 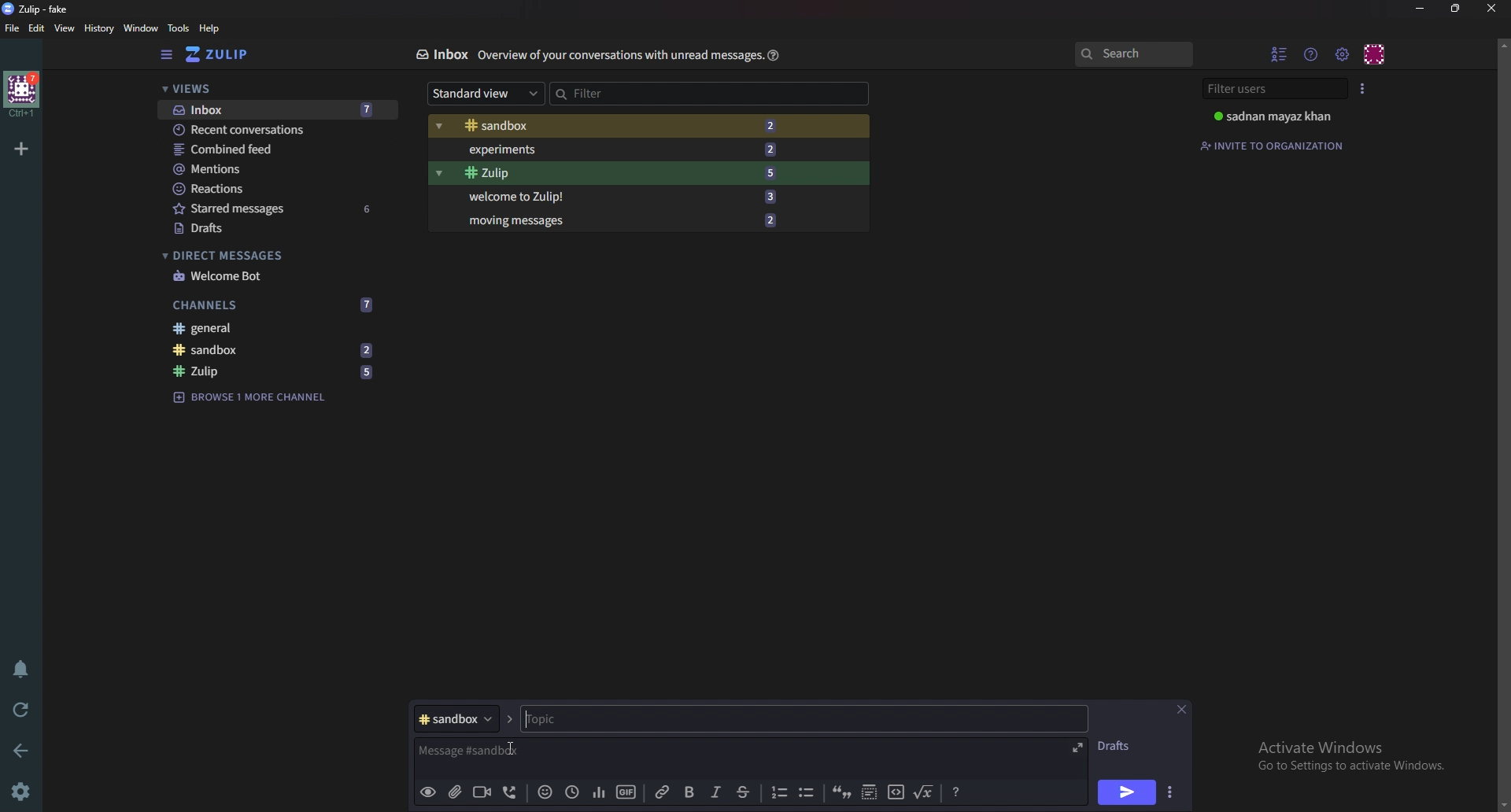 I want to click on Tools, so click(x=179, y=28).